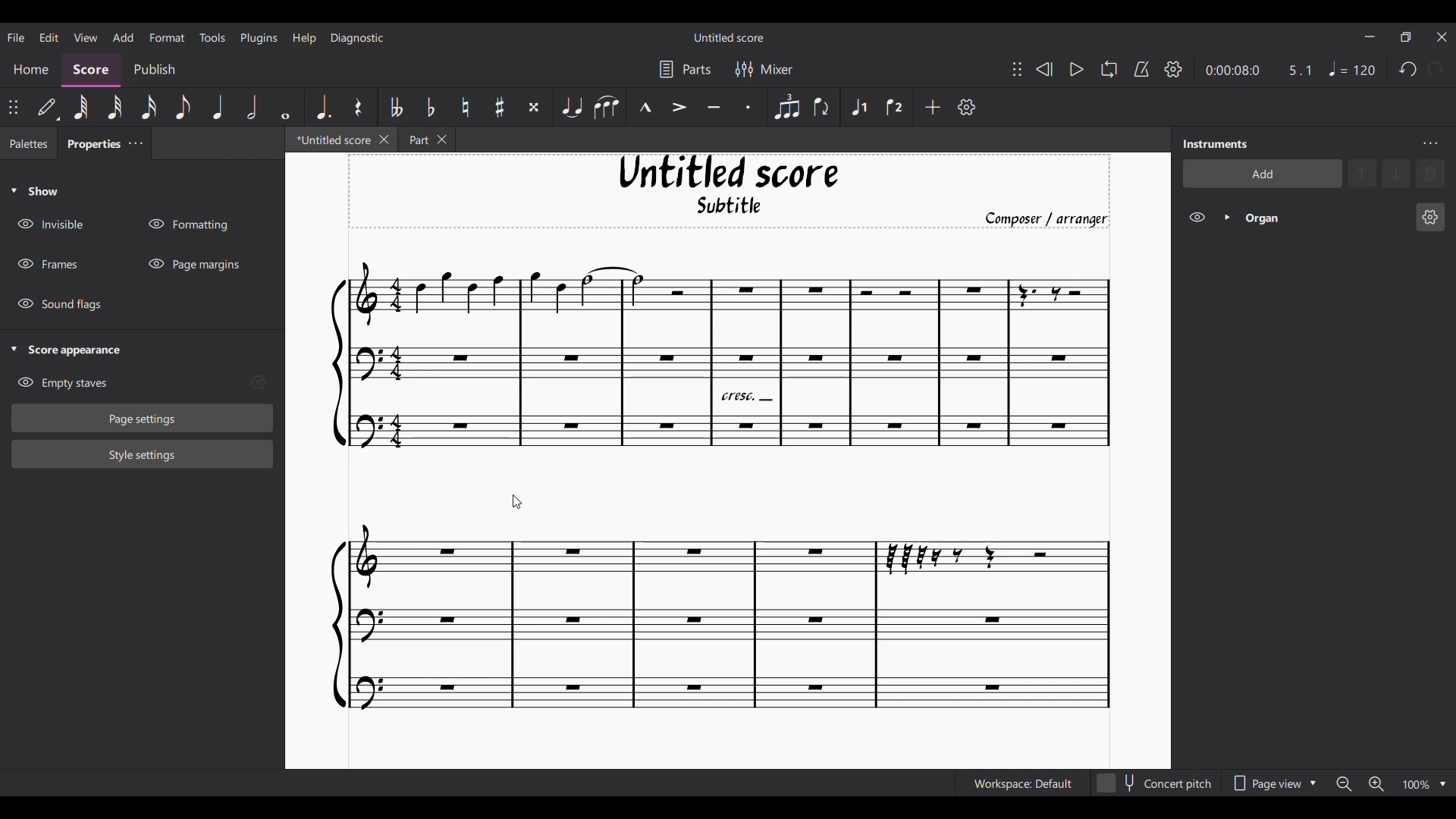  What do you see at coordinates (16, 36) in the screenshot?
I see `File menu` at bounding box center [16, 36].